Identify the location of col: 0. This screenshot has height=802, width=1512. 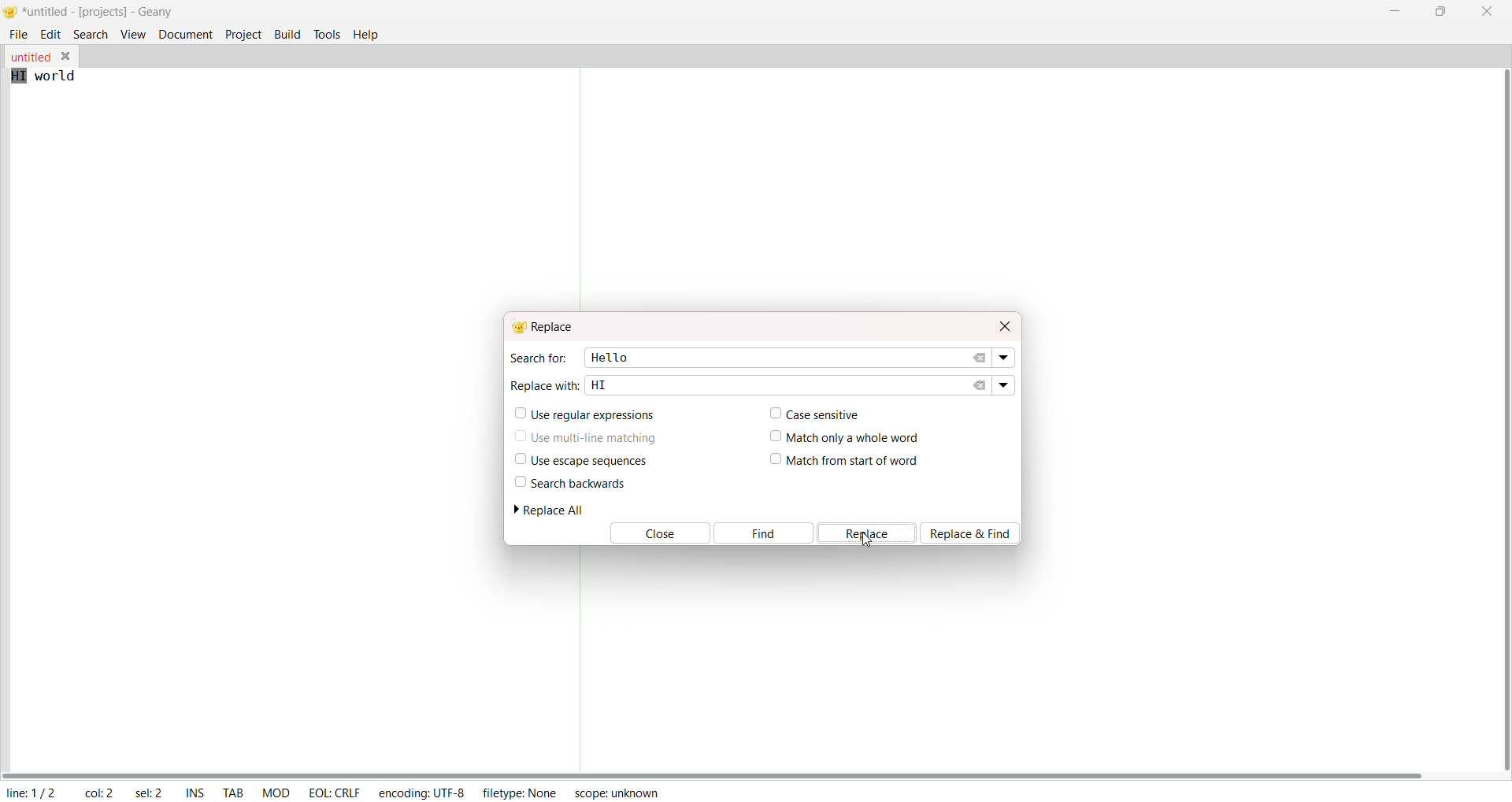
(98, 793).